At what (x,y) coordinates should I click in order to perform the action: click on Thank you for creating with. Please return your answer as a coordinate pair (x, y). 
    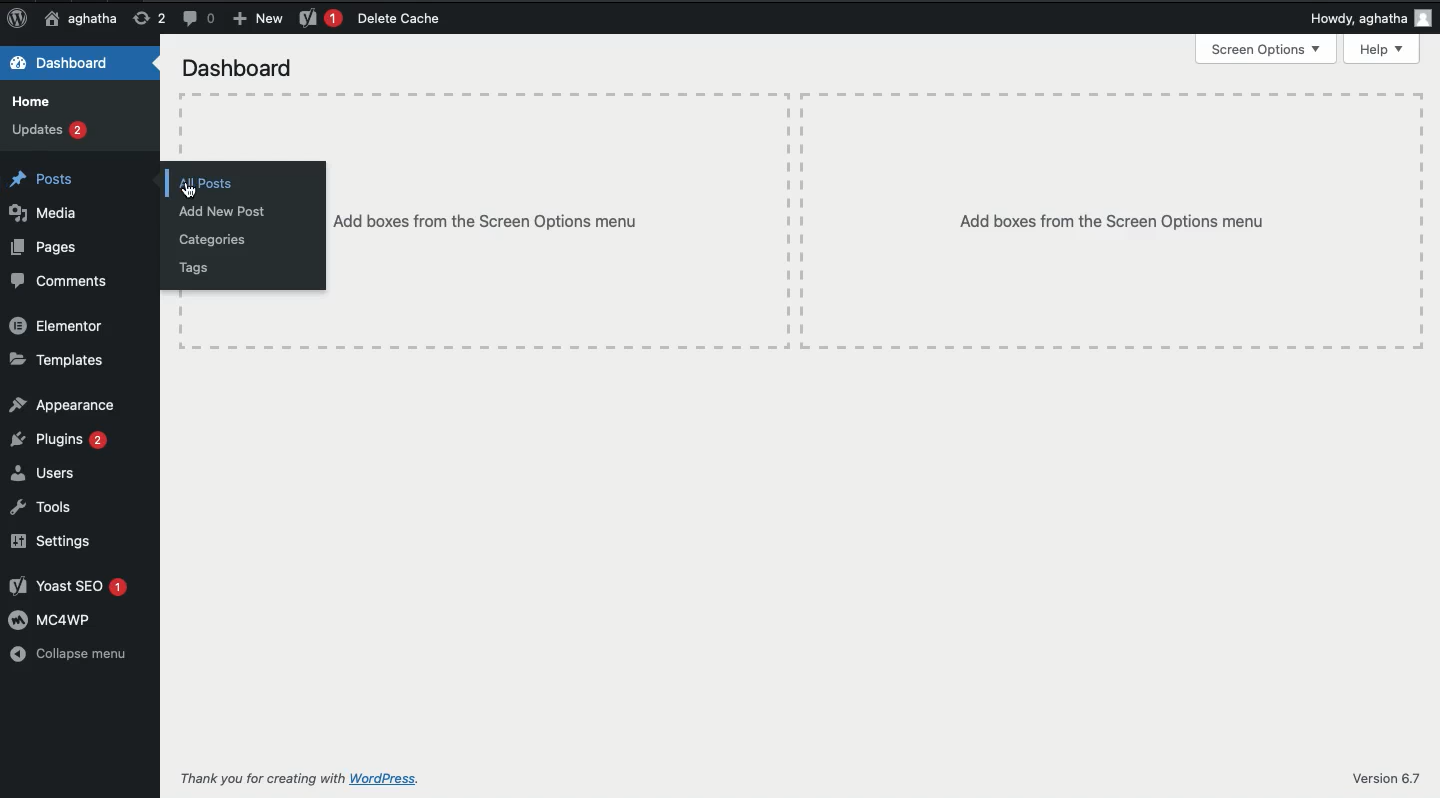
    Looking at the image, I should click on (260, 777).